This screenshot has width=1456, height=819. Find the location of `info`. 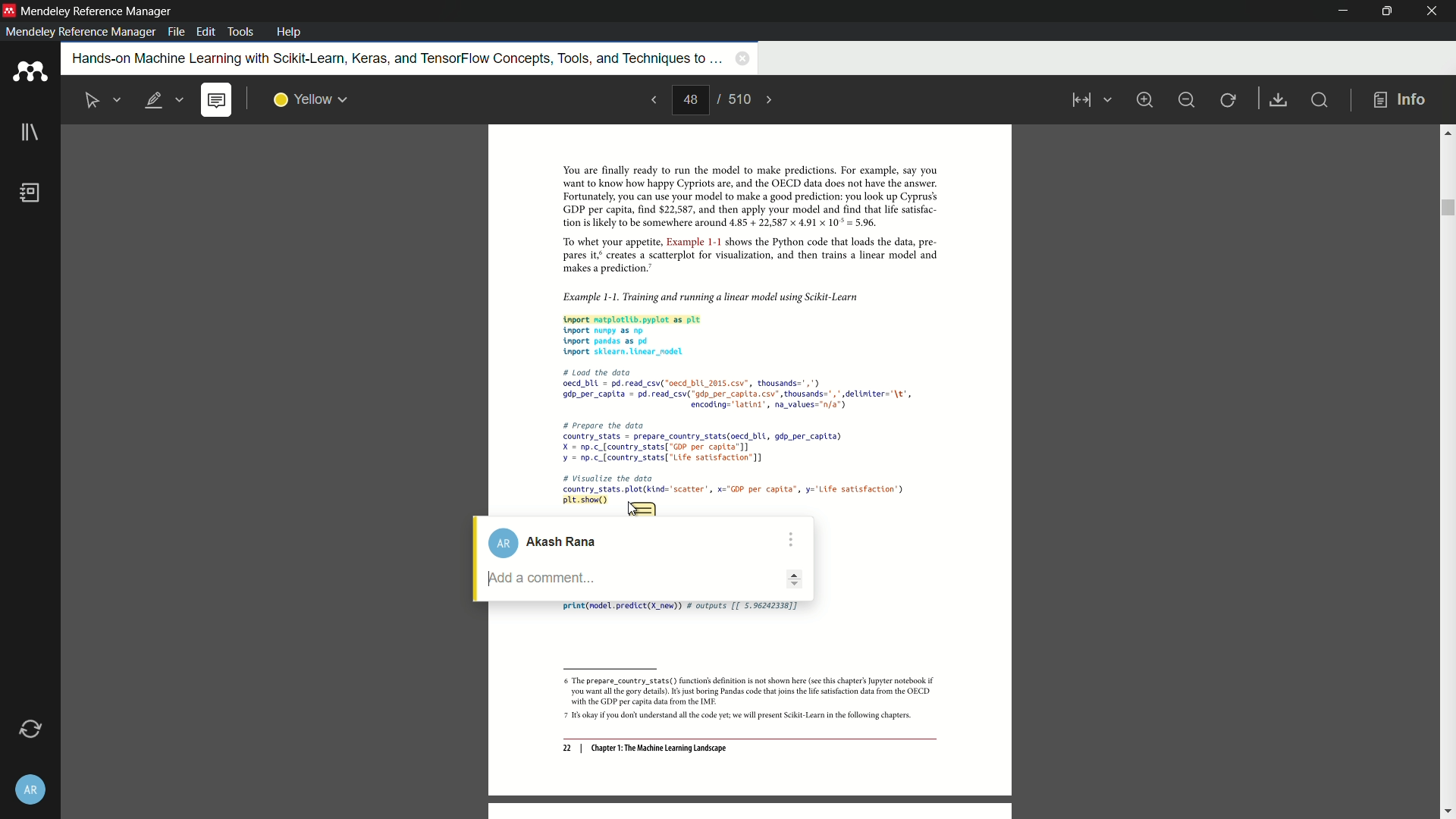

info is located at coordinates (1400, 101).